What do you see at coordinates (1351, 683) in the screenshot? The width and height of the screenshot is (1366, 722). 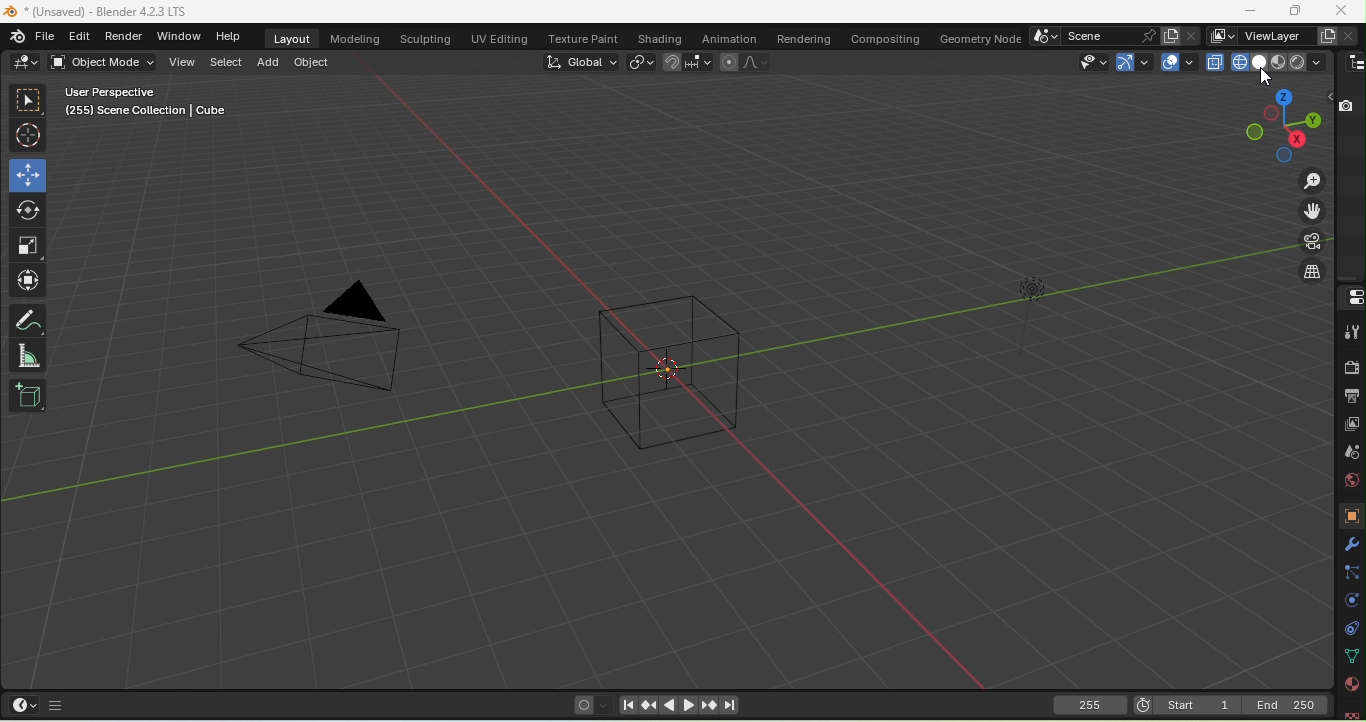 I see `Material` at bounding box center [1351, 683].